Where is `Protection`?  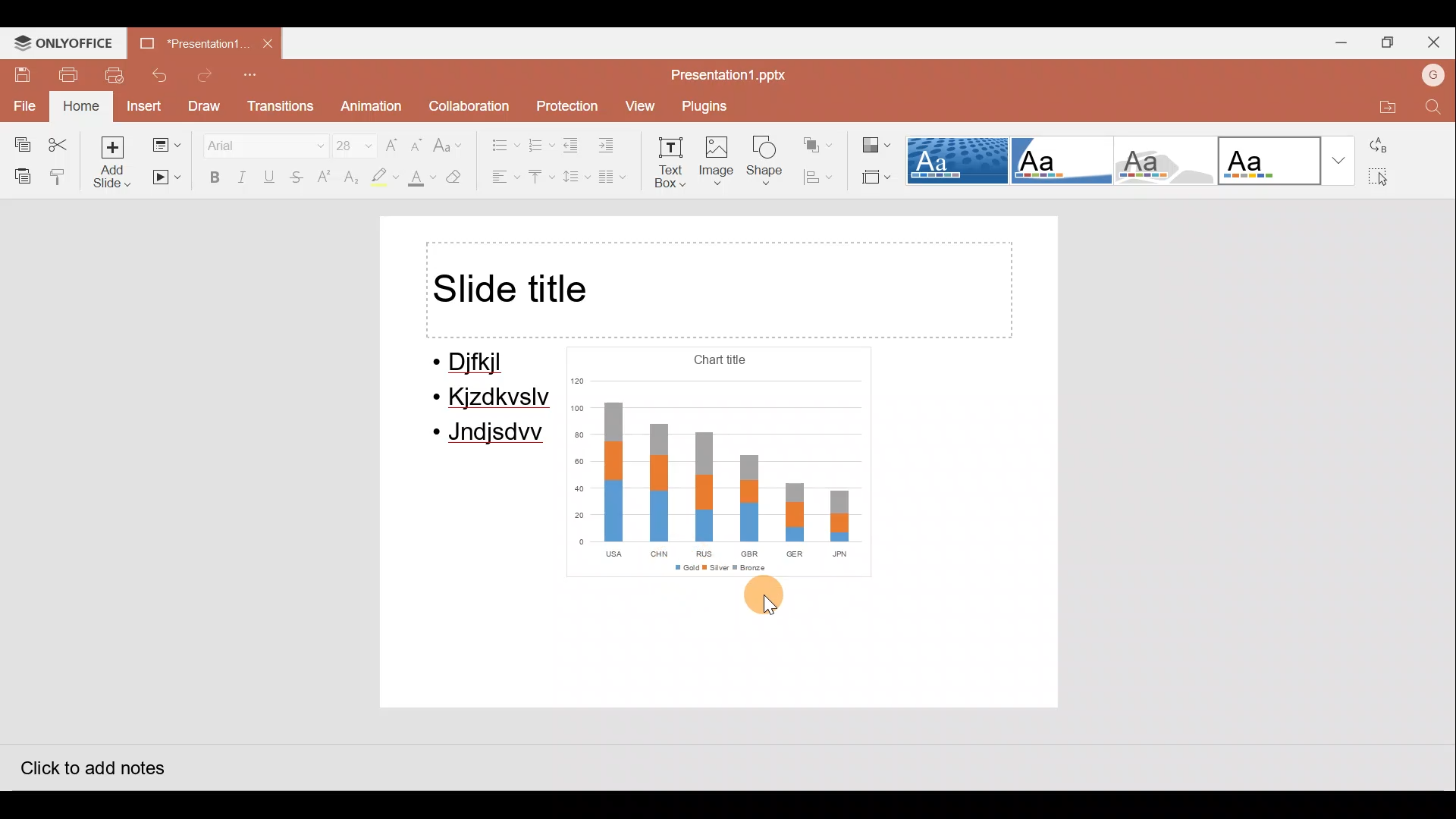 Protection is located at coordinates (564, 101).